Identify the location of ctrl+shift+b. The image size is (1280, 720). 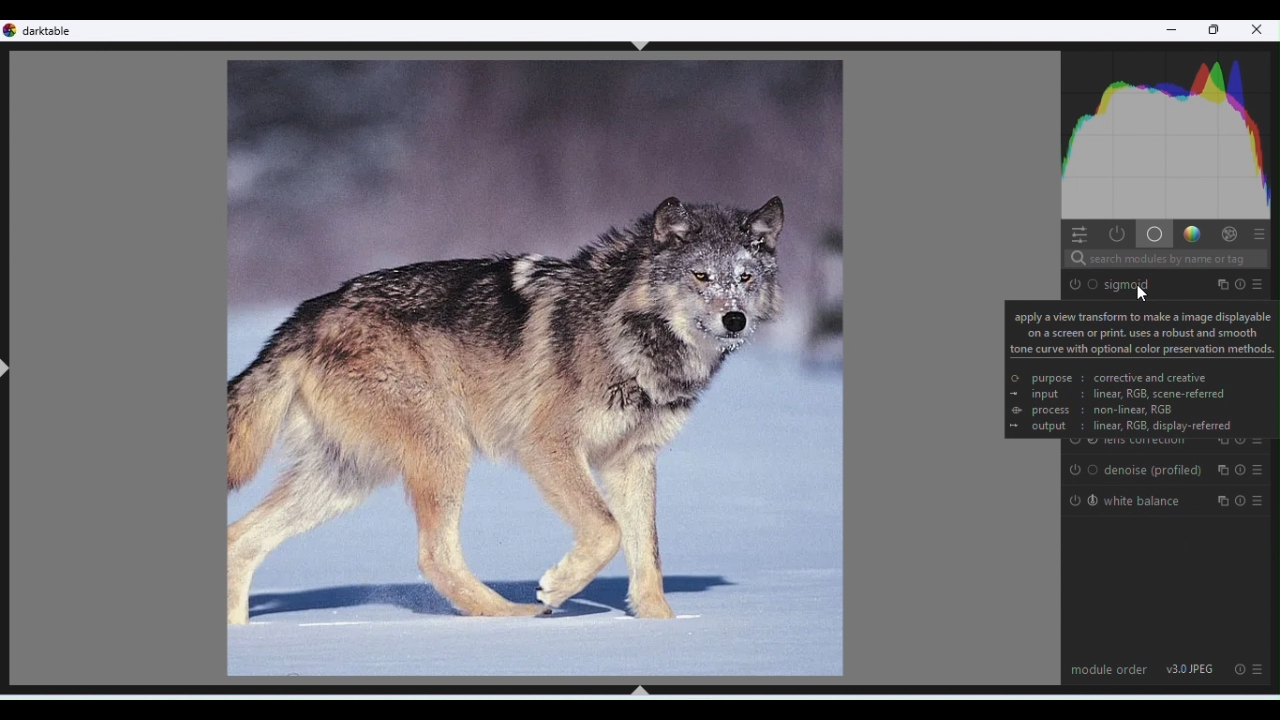
(639, 690).